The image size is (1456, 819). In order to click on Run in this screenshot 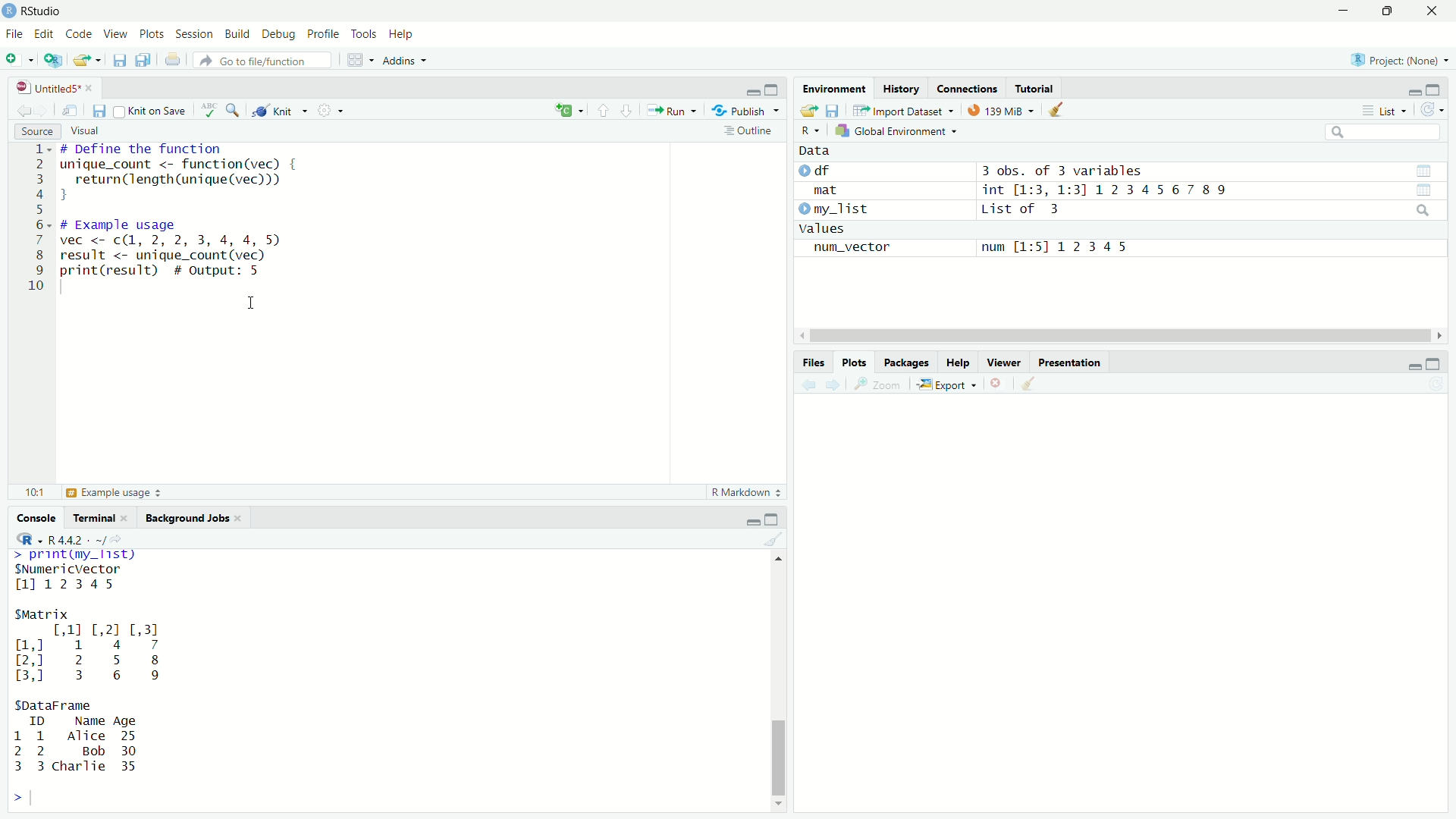, I will do `click(672, 111)`.